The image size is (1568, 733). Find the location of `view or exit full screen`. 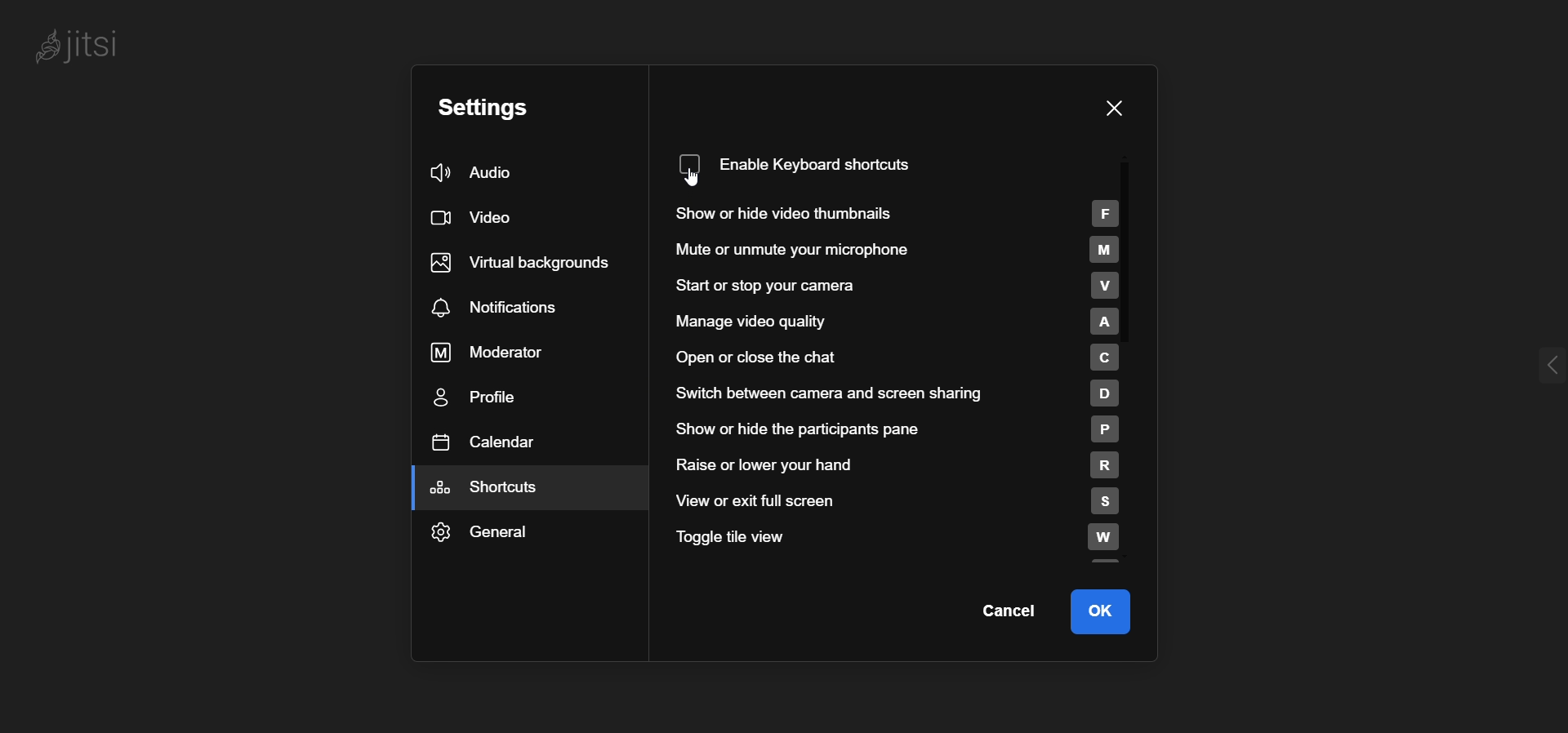

view or exit full screen is located at coordinates (902, 500).